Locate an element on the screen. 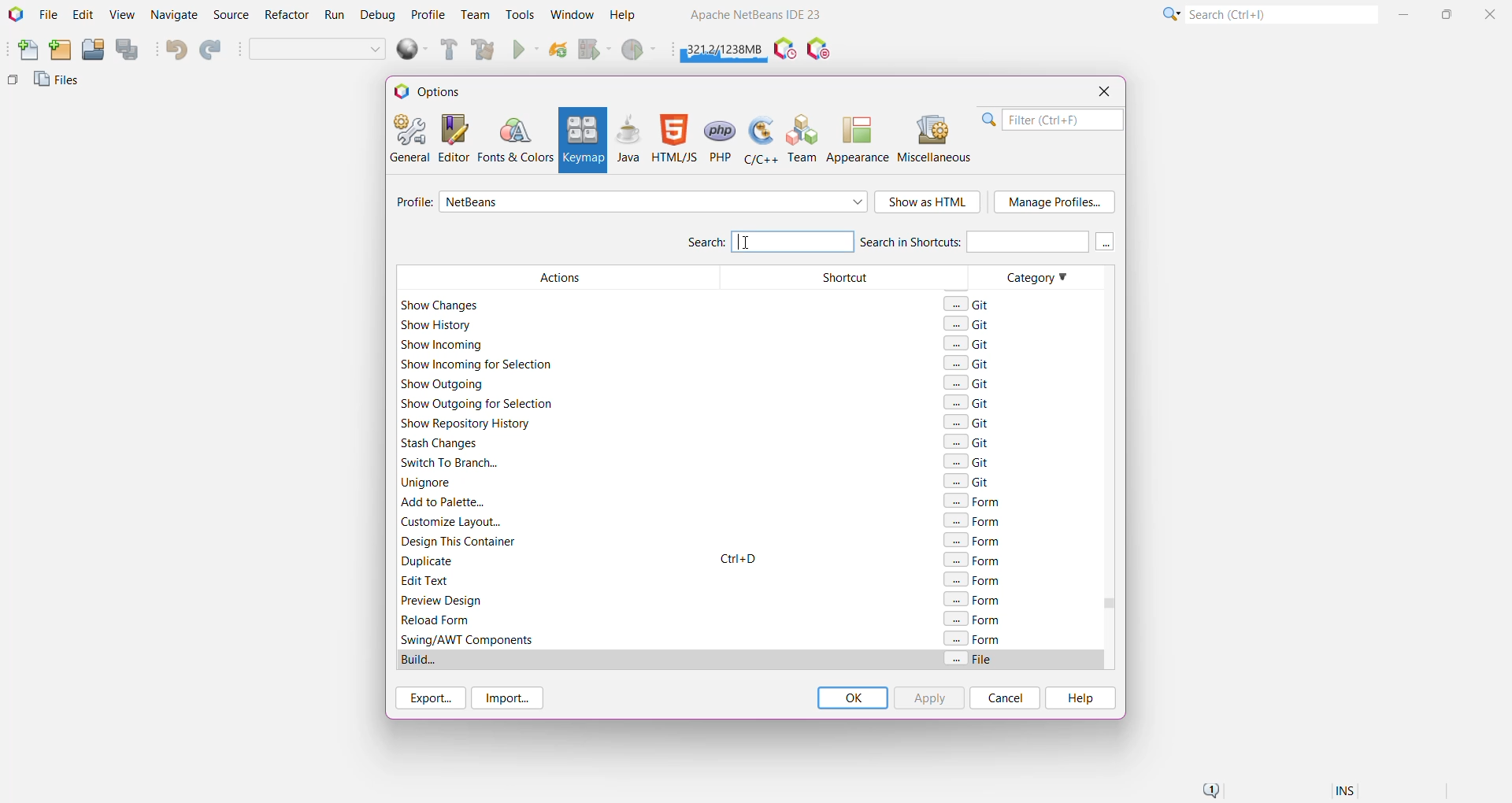 This screenshot has height=803, width=1512. HTML/JS is located at coordinates (673, 139).